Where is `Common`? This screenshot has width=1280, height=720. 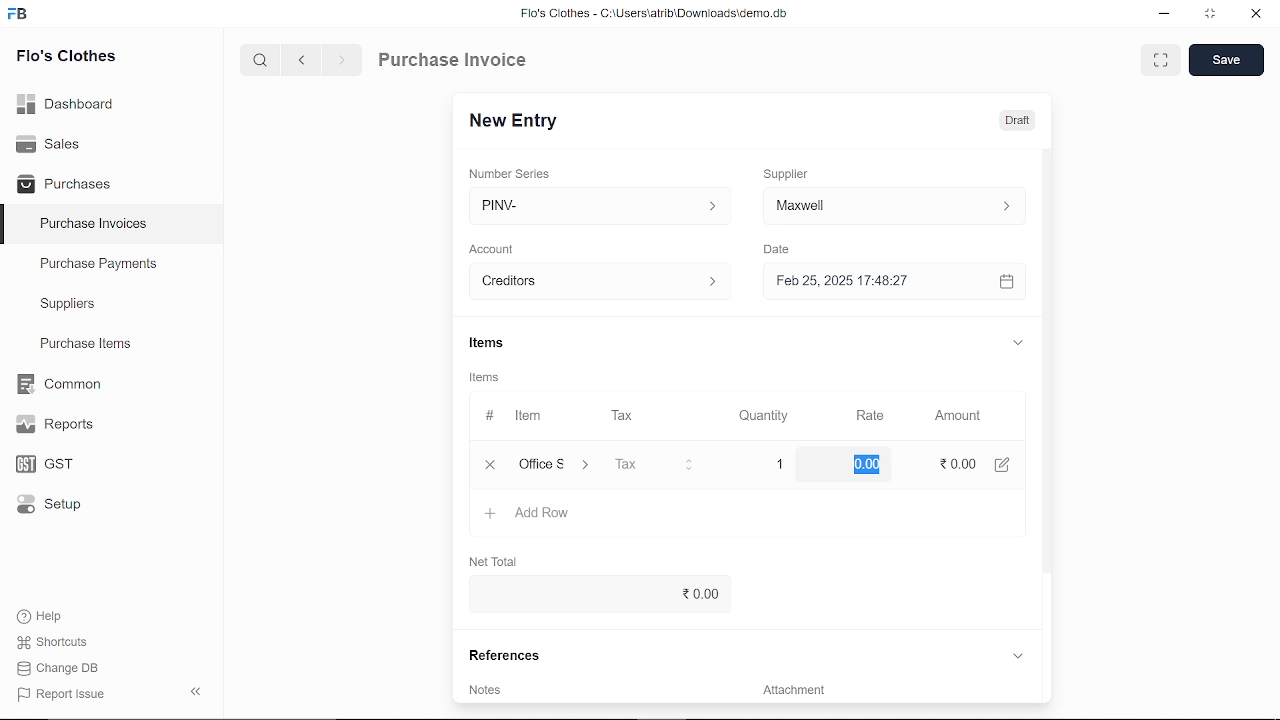
Common is located at coordinates (61, 384).